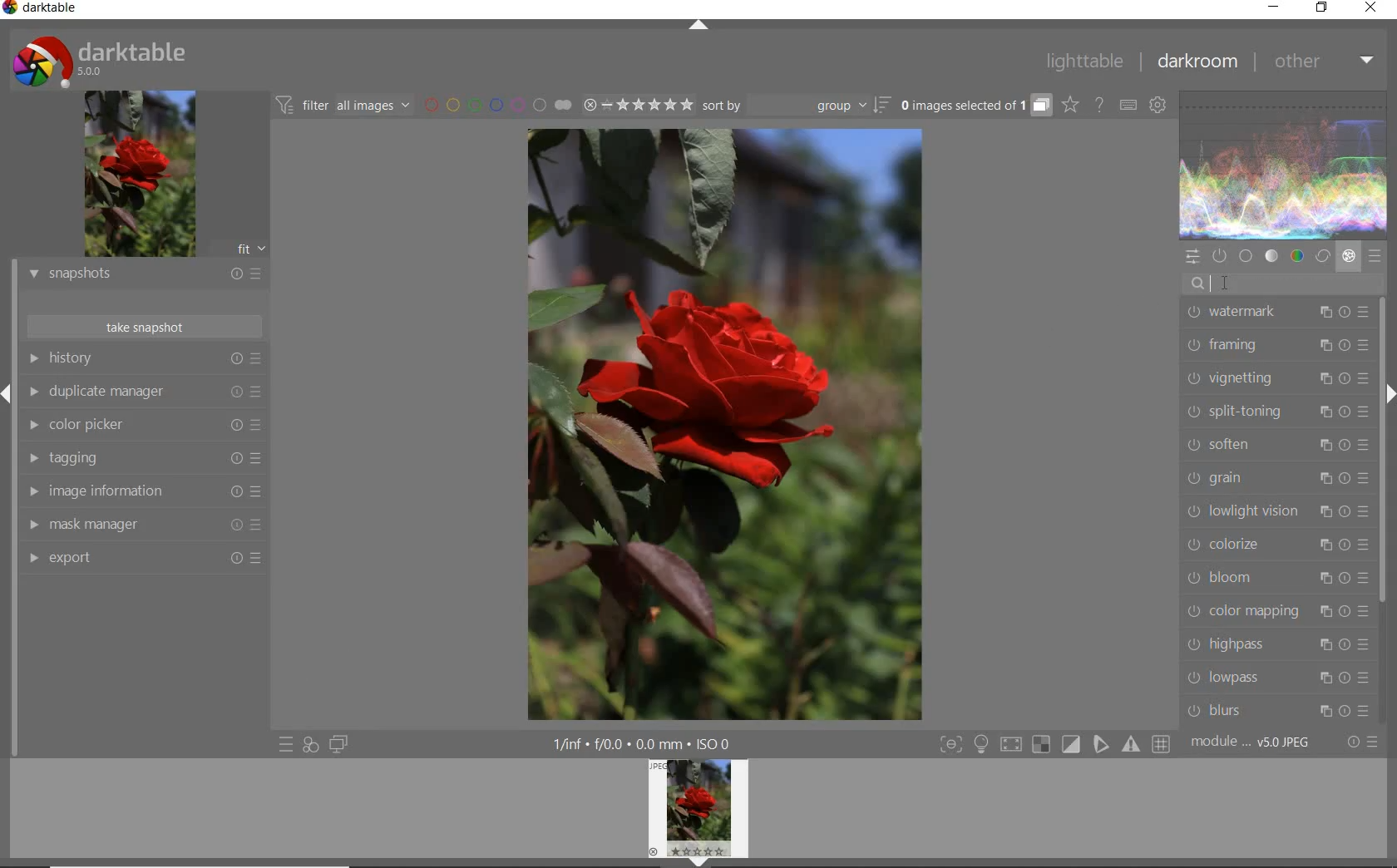 The height and width of the screenshot is (868, 1397). What do you see at coordinates (1275, 478) in the screenshot?
I see `grain` at bounding box center [1275, 478].